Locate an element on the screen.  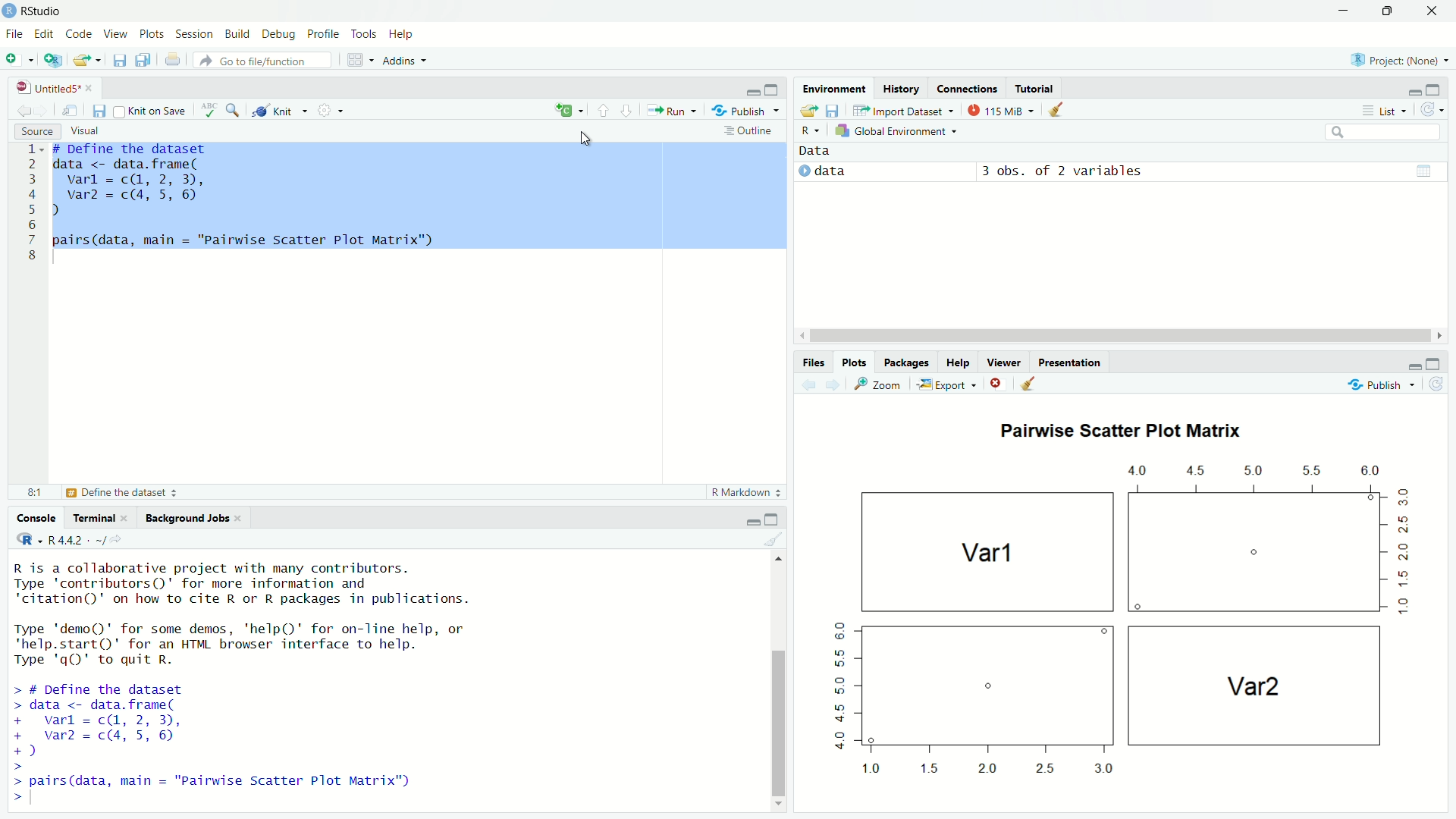
Down is located at coordinates (780, 802).